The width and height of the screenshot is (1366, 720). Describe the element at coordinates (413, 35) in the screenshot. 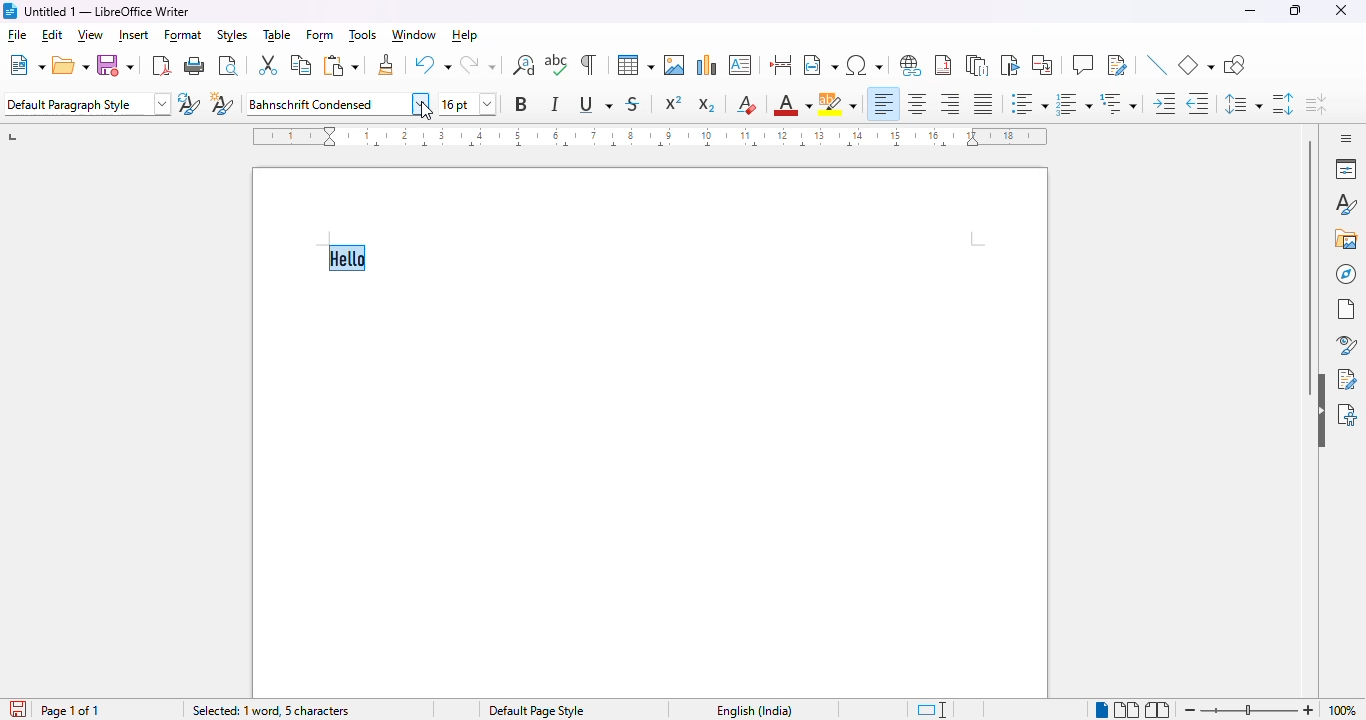

I see `window` at that location.